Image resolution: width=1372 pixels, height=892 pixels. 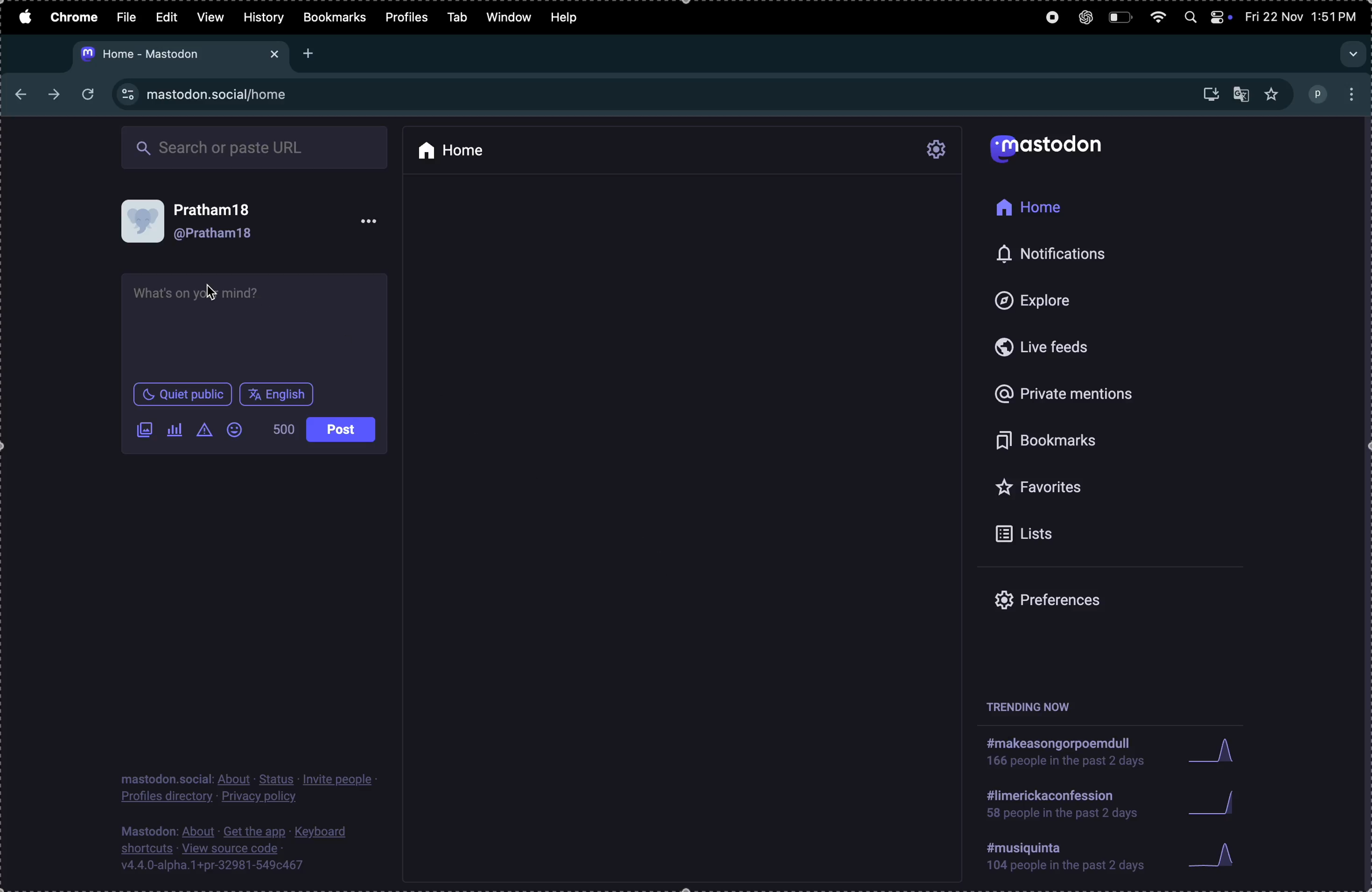 What do you see at coordinates (72, 17) in the screenshot?
I see `chrome` at bounding box center [72, 17].